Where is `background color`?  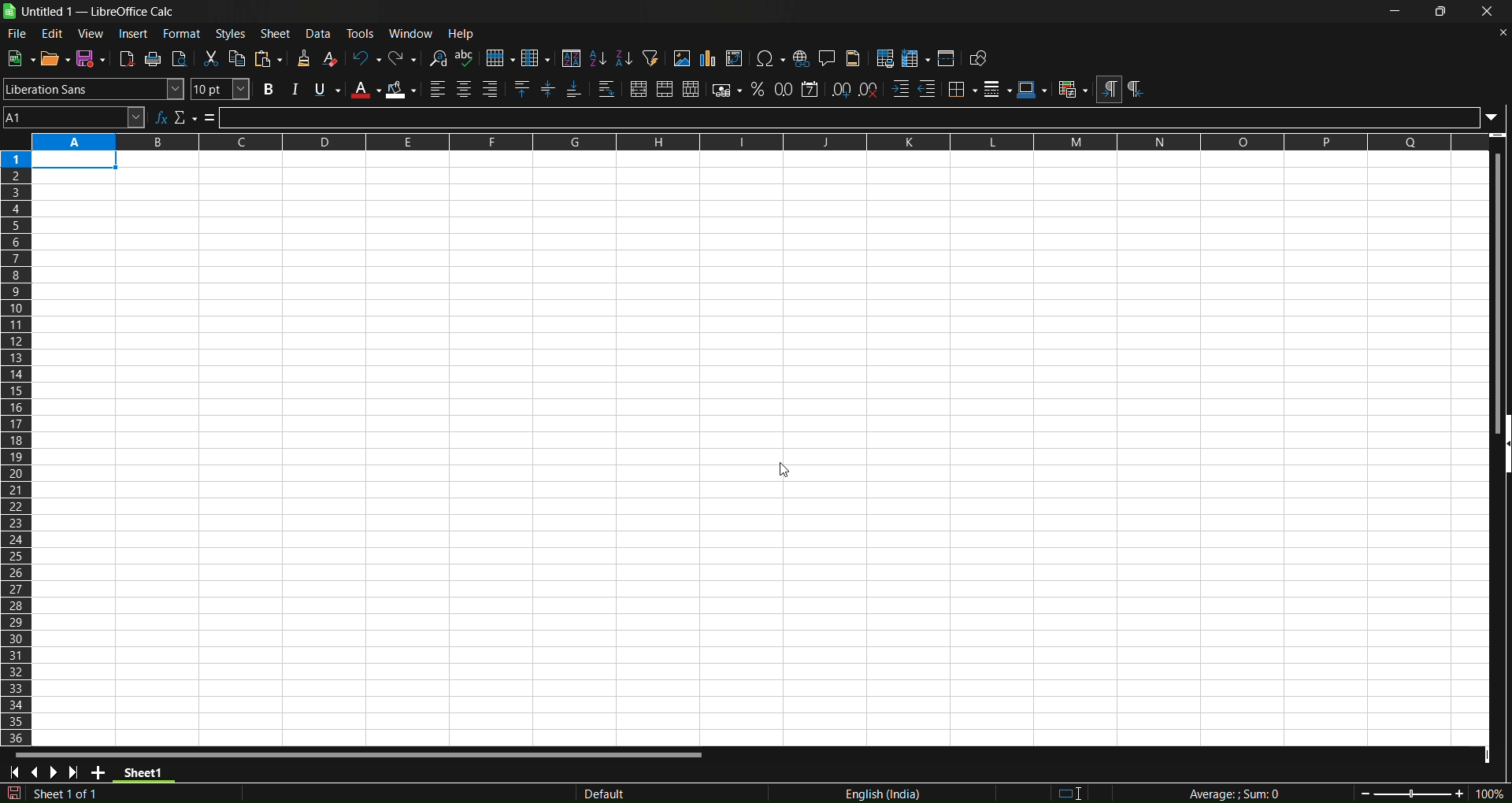
background color is located at coordinates (402, 90).